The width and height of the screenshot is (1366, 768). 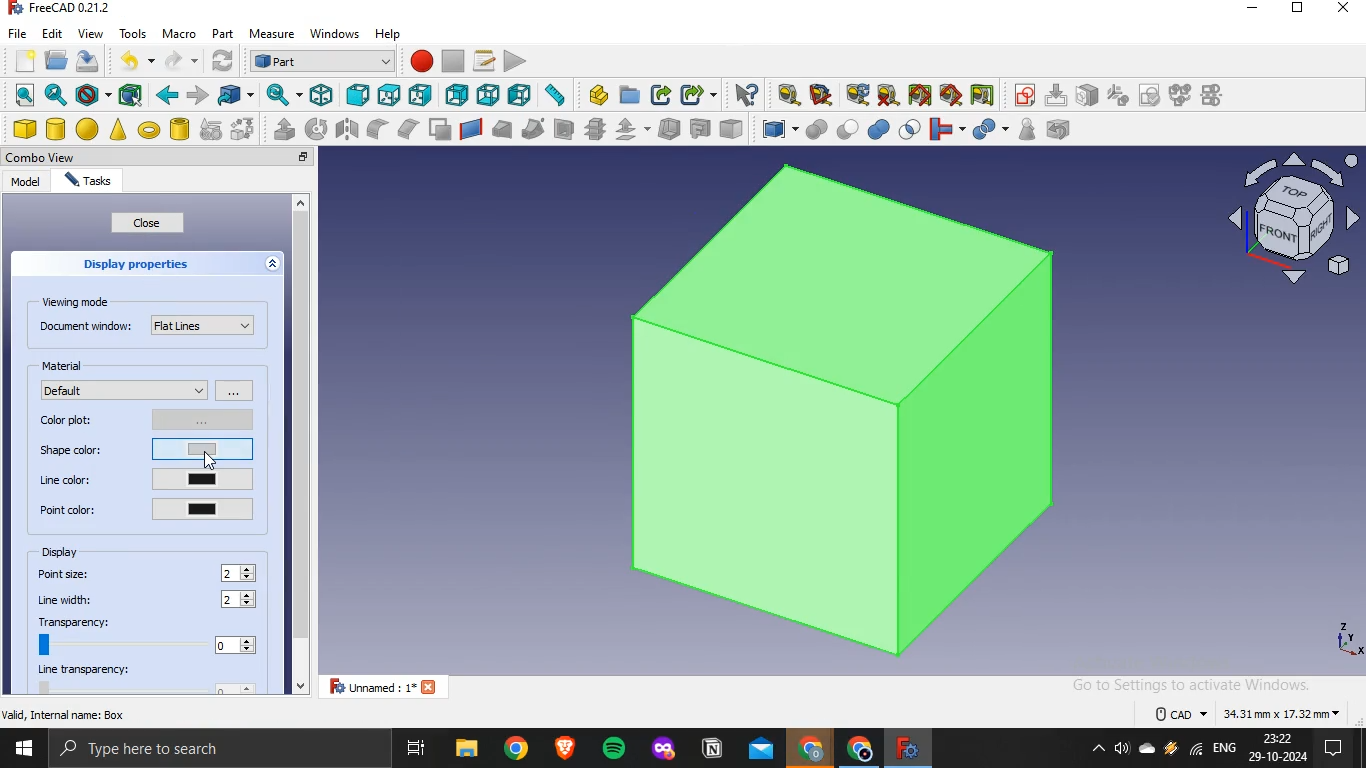 I want to click on google chrome, so click(x=516, y=749).